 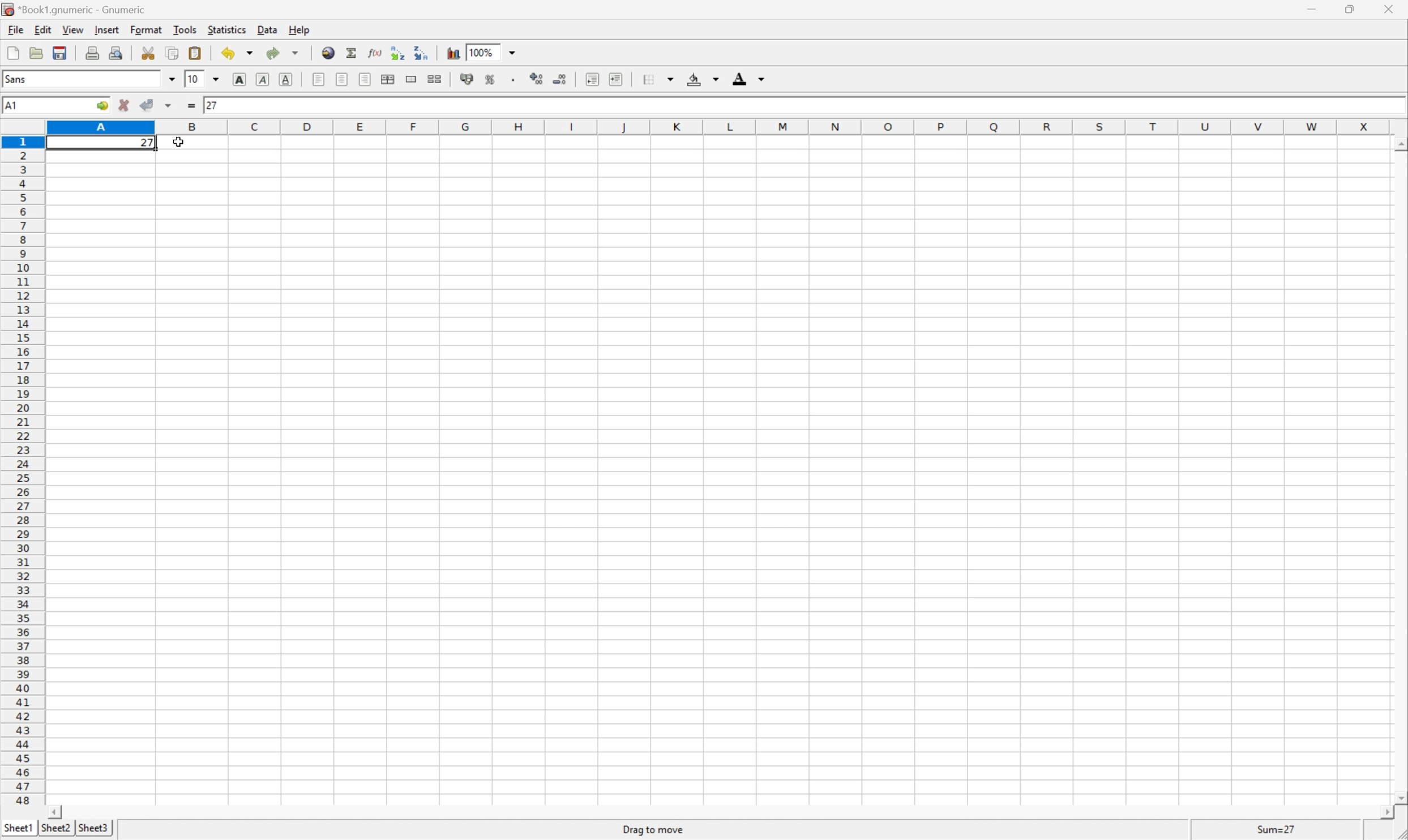 What do you see at coordinates (22, 470) in the screenshot?
I see `Row Number` at bounding box center [22, 470].